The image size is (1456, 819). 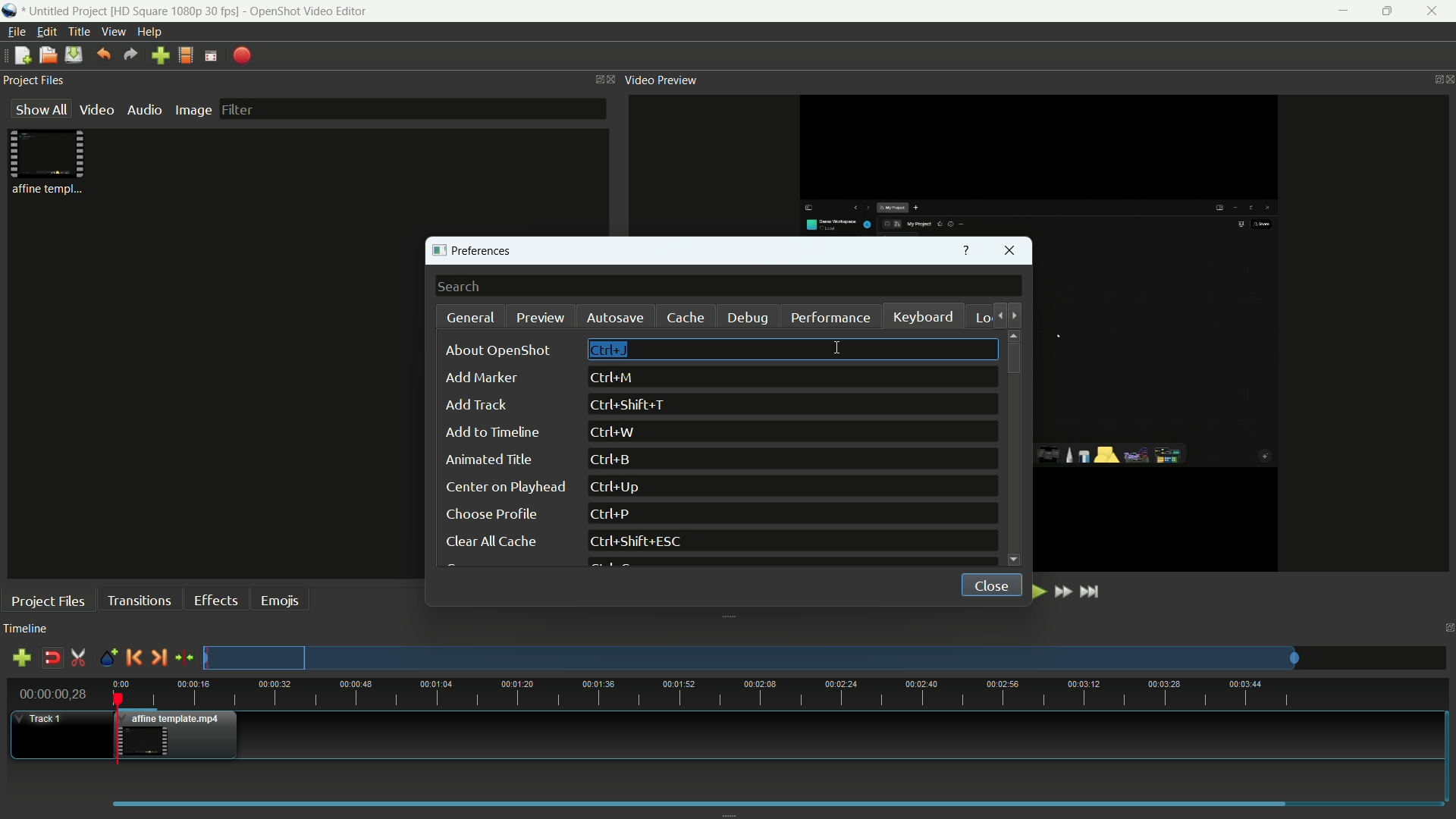 What do you see at coordinates (472, 318) in the screenshot?
I see `general` at bounding box center [472, 318].